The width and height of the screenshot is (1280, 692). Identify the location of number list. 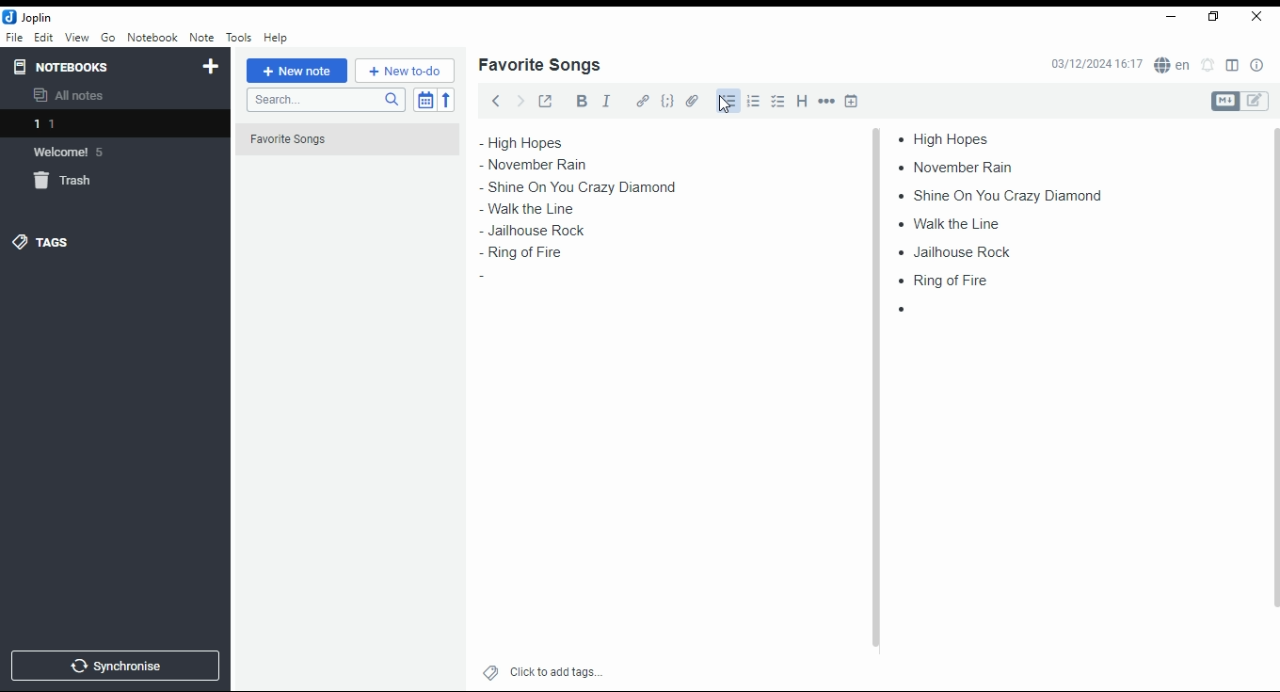
(754, 100).